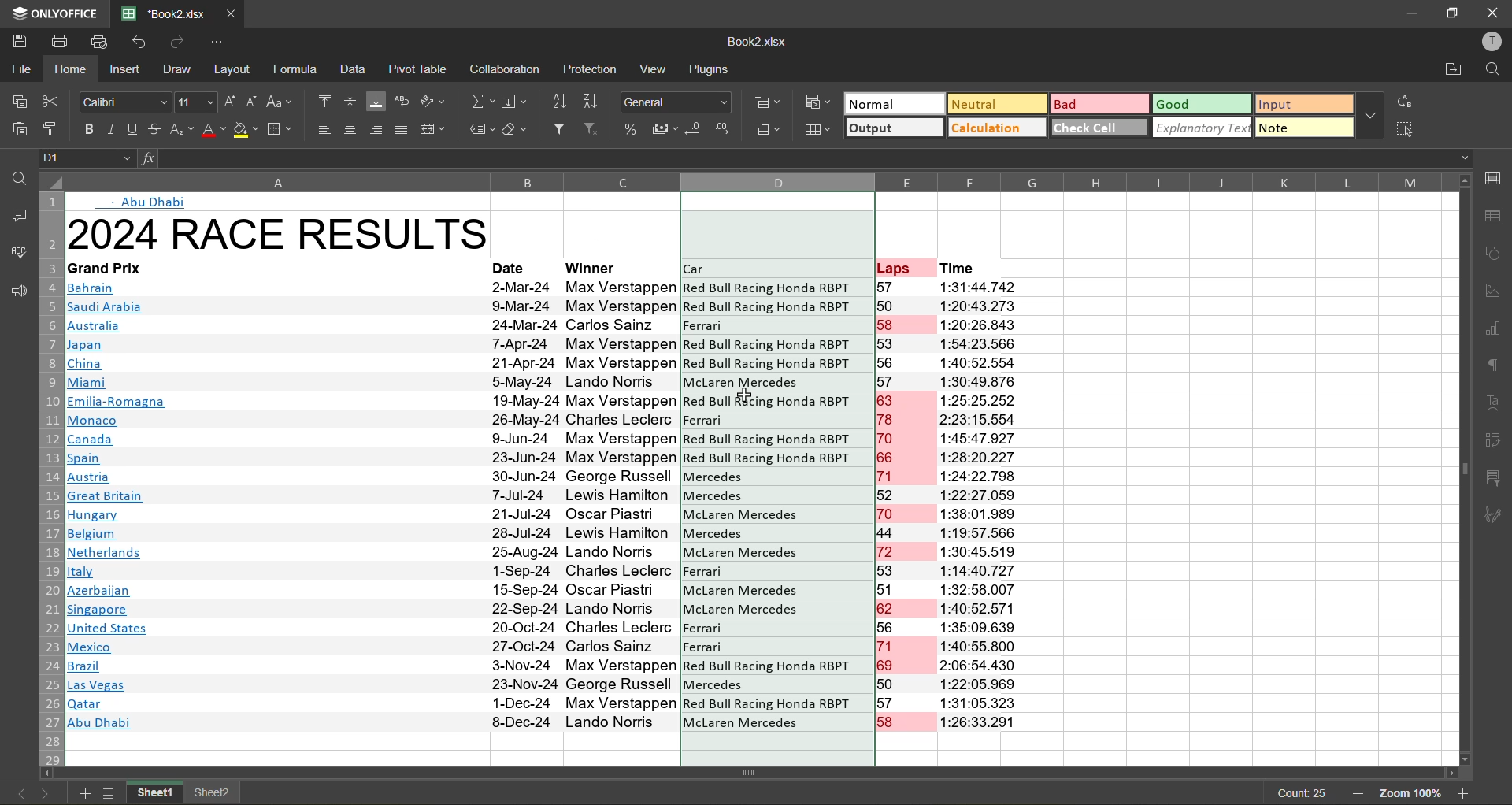 This screenshot has width=1512, height=805. Describe the element at coordinates (675, 100) in the screenshot. I see `General` at that location.